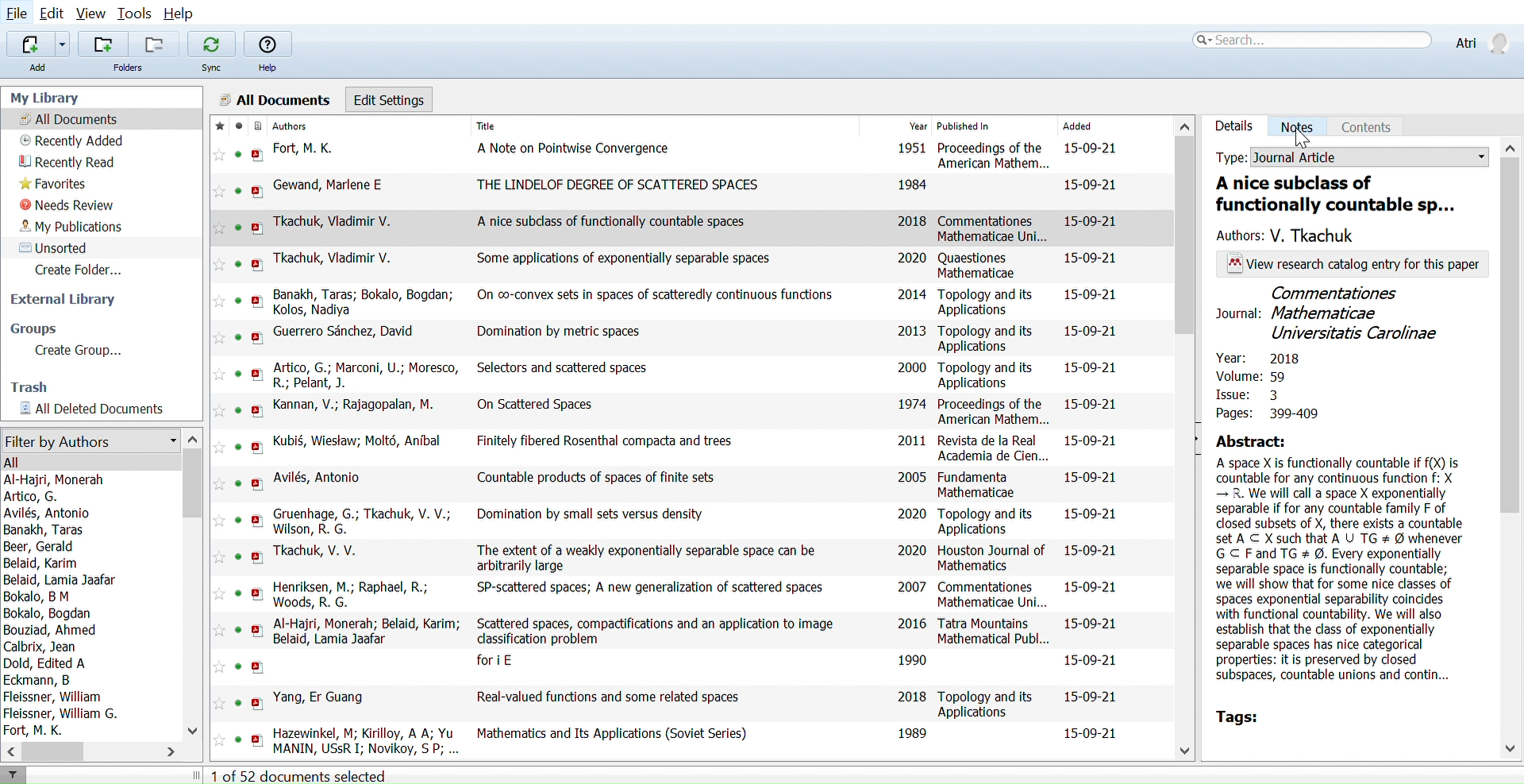 Image resolution: width=1524 pixels, height=784 pixels. What do you see at coordinates (983, 265) in the screenshot?
I see `Quaestiones Mathematicae` at bounding box center [983, 265].